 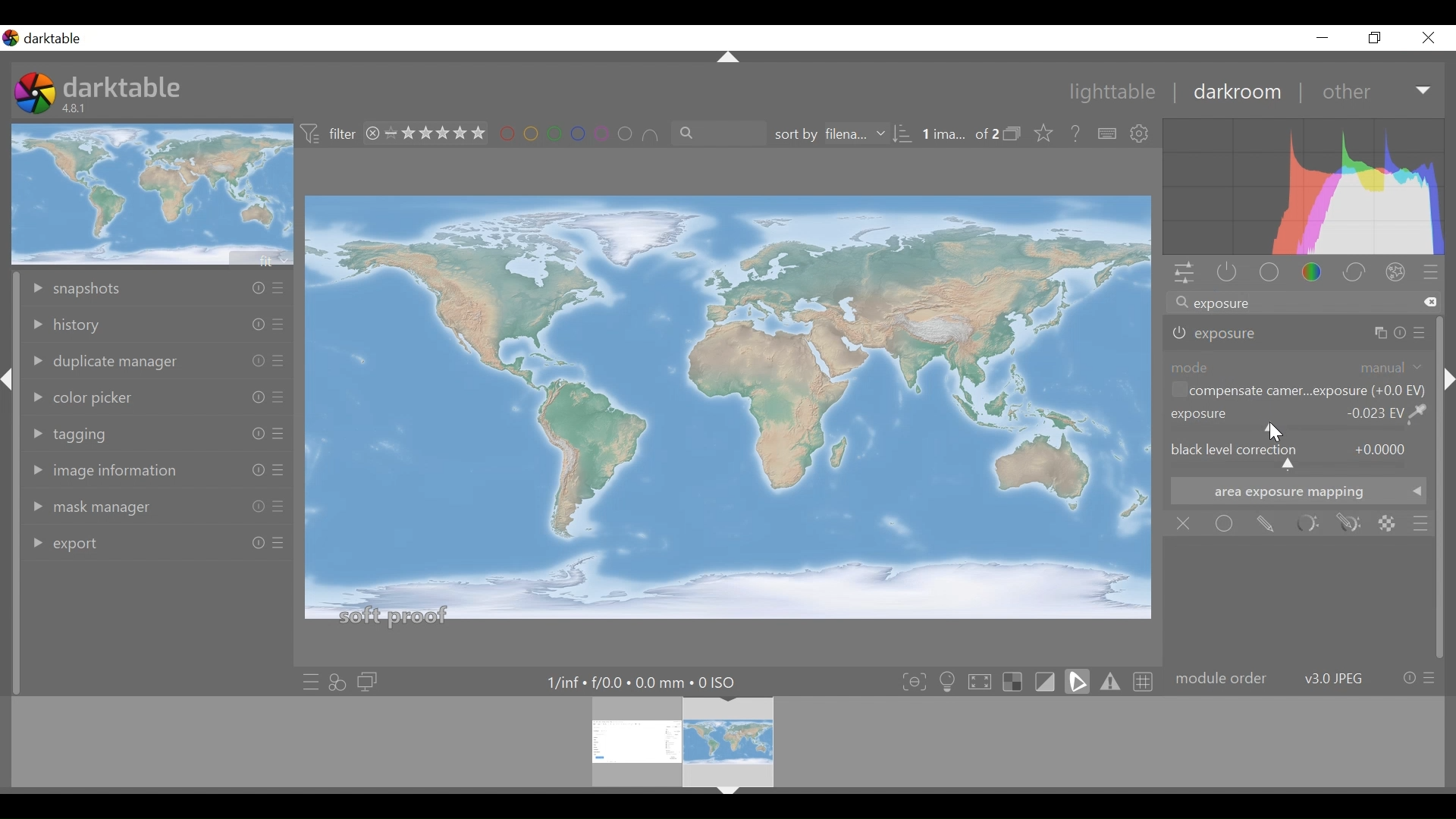 What do you see at coordinates (1377, 91) in the screenshot?
I see `Other` at bounding box center [1377, 91].